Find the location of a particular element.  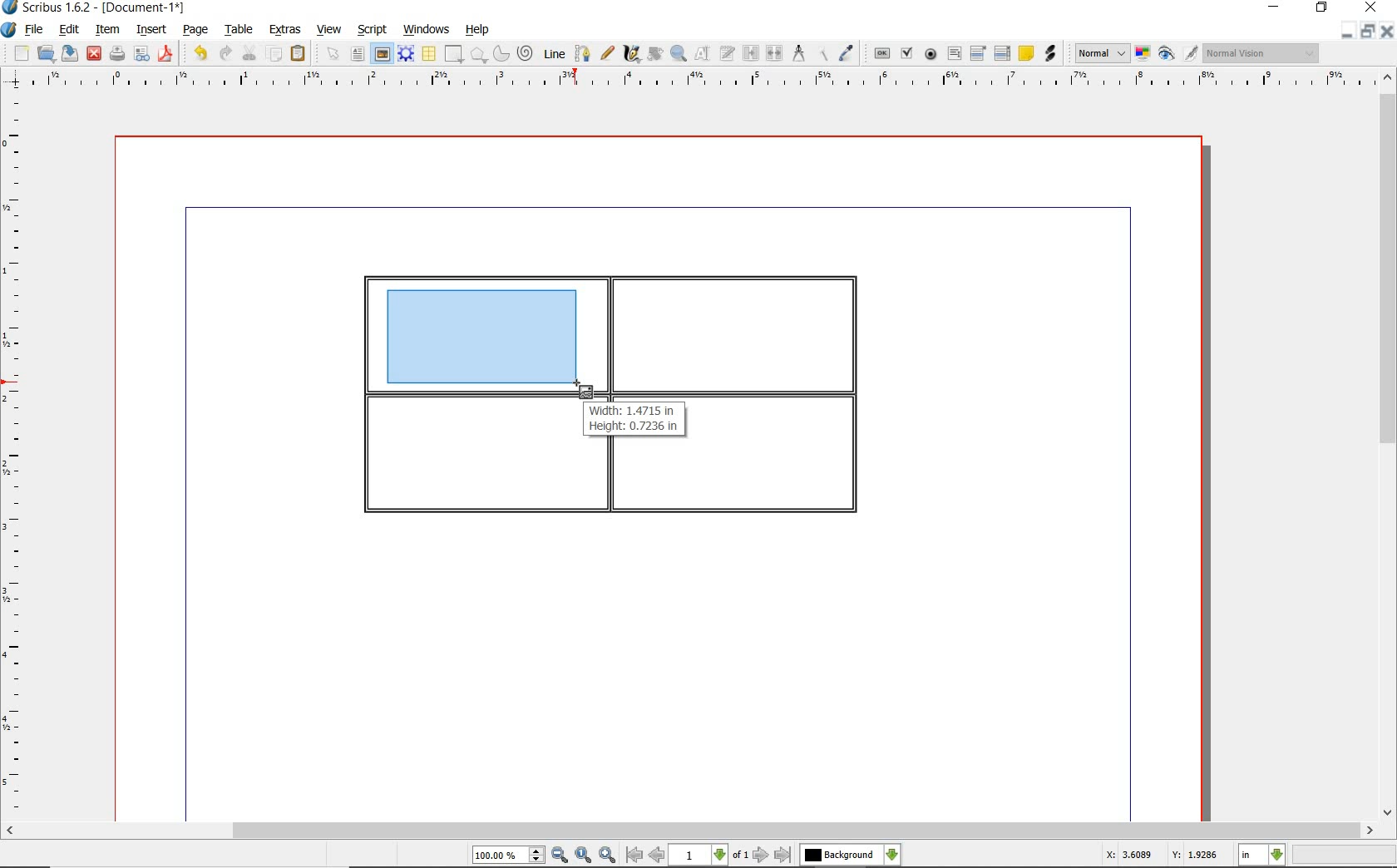

unlink text frames is located at coordinates (776, 53).